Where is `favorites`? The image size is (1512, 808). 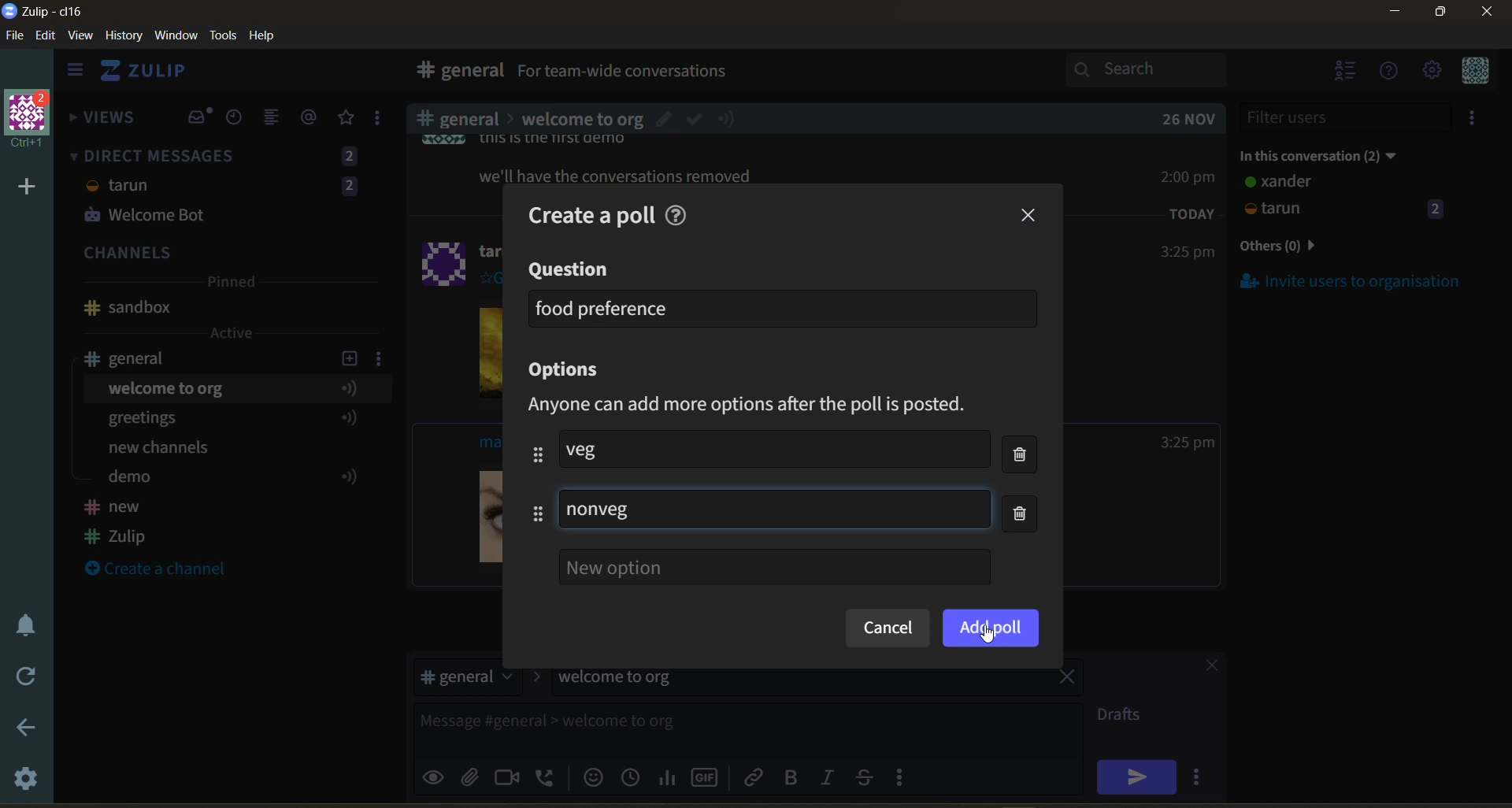
favorites is located at coordinates (347, 118).